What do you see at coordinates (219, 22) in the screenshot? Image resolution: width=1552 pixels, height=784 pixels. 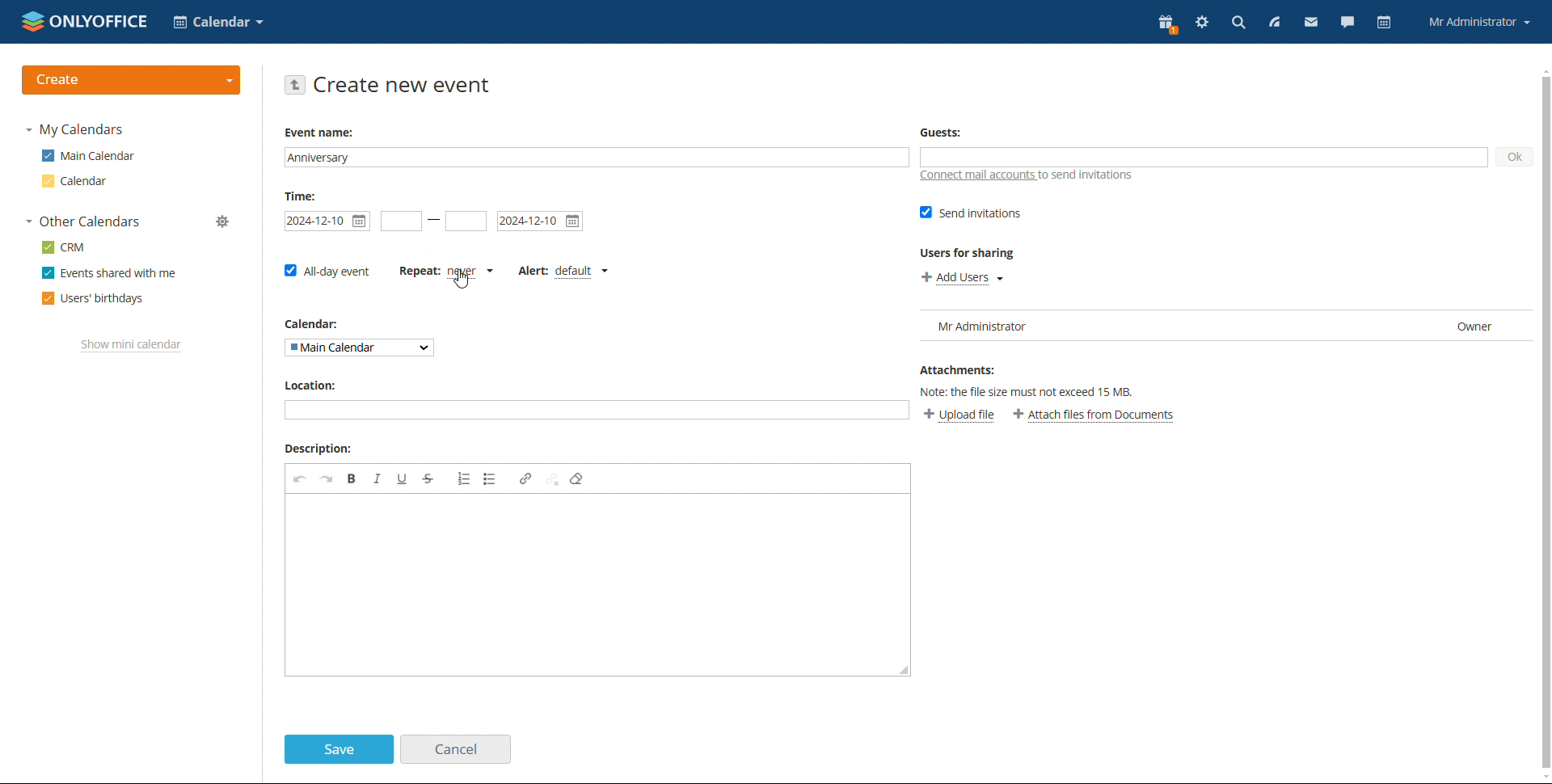 I see `select application` at bounding box center [219, 22].